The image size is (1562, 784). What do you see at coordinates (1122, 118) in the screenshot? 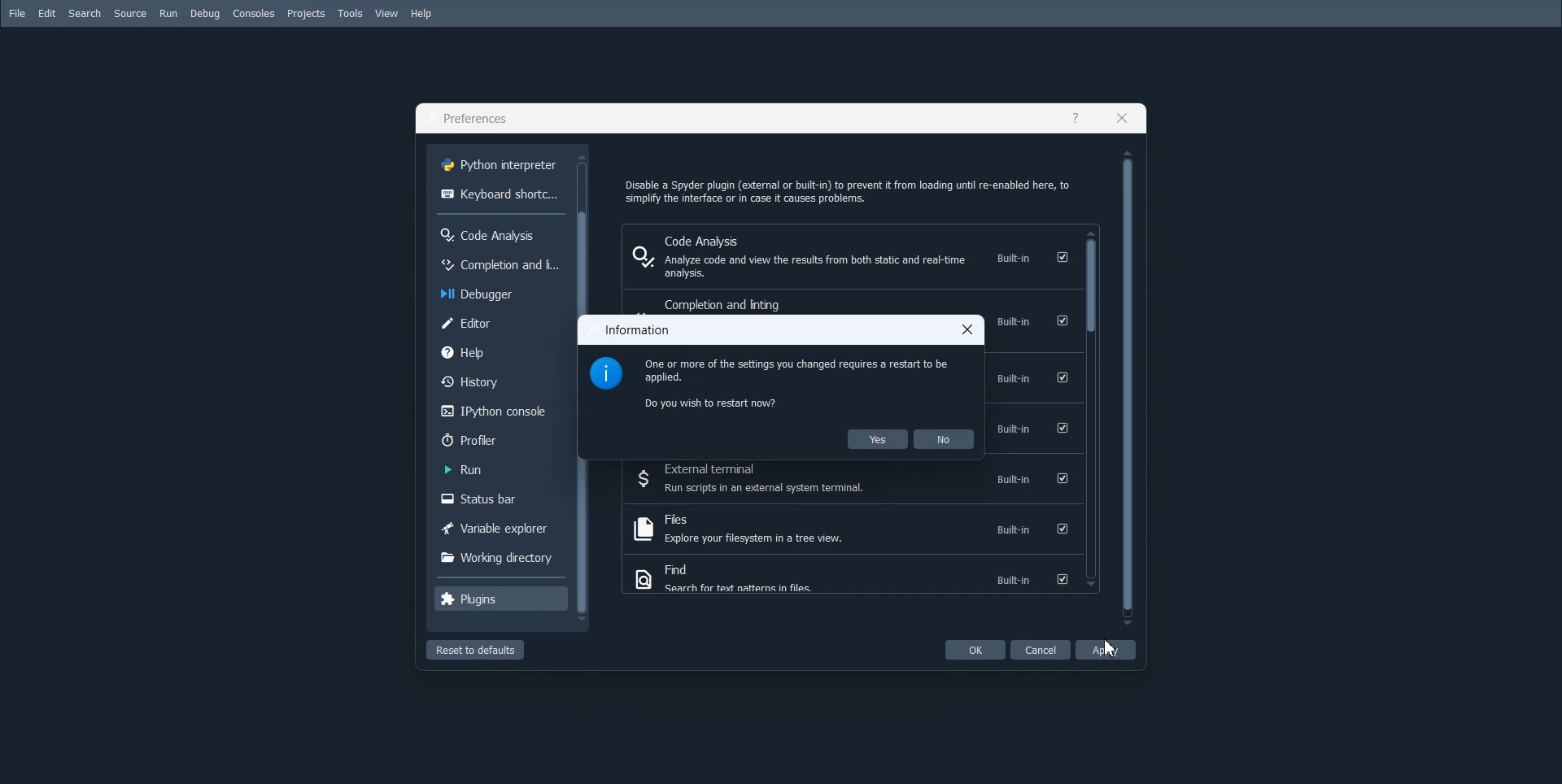
I see `Close` at bounding box center [1122, 118].